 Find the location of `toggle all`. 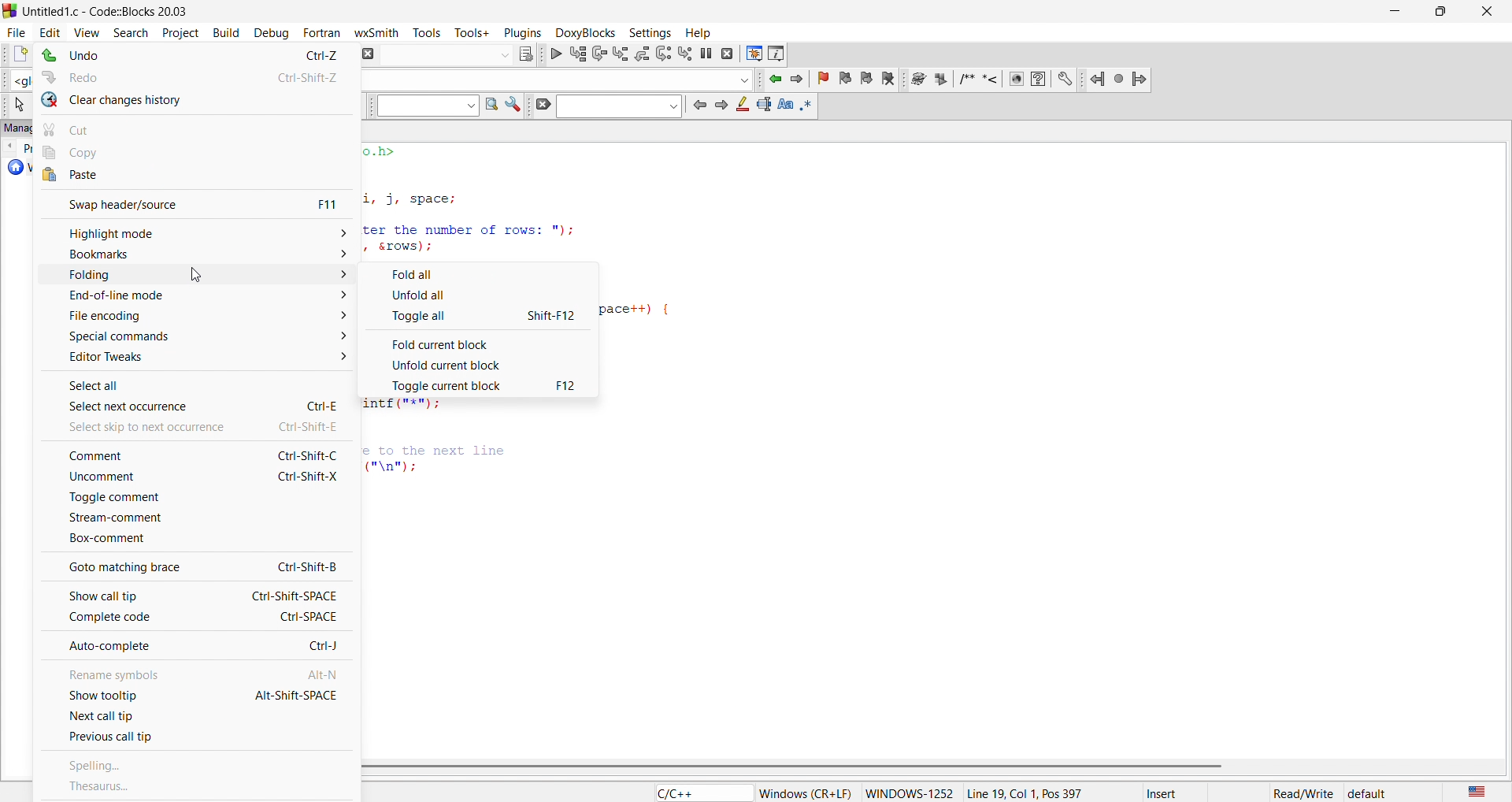

toggle all is located at coordinates (481, 317).